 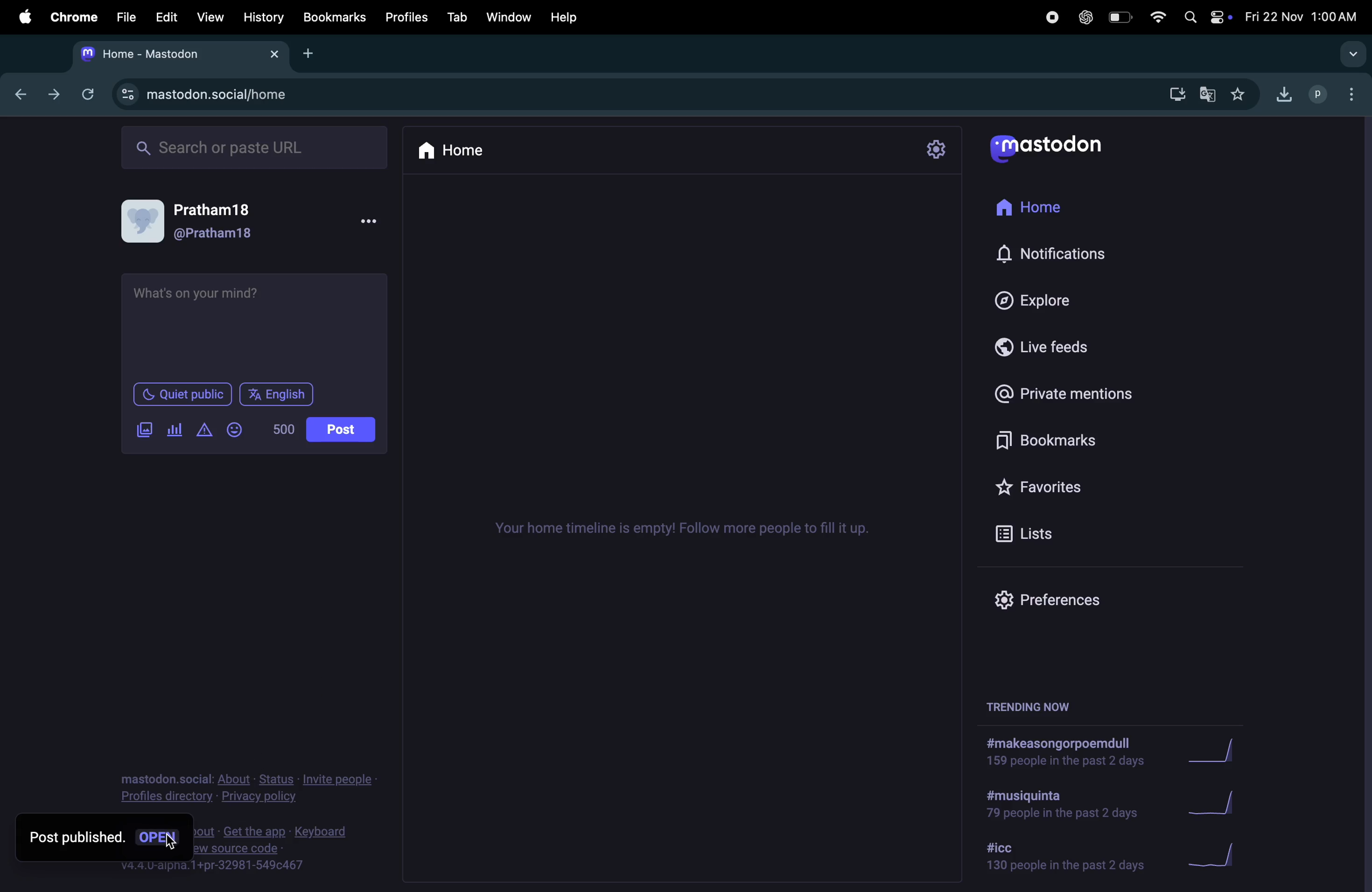 I want to click on quiet public, so click(x=176, y=393).